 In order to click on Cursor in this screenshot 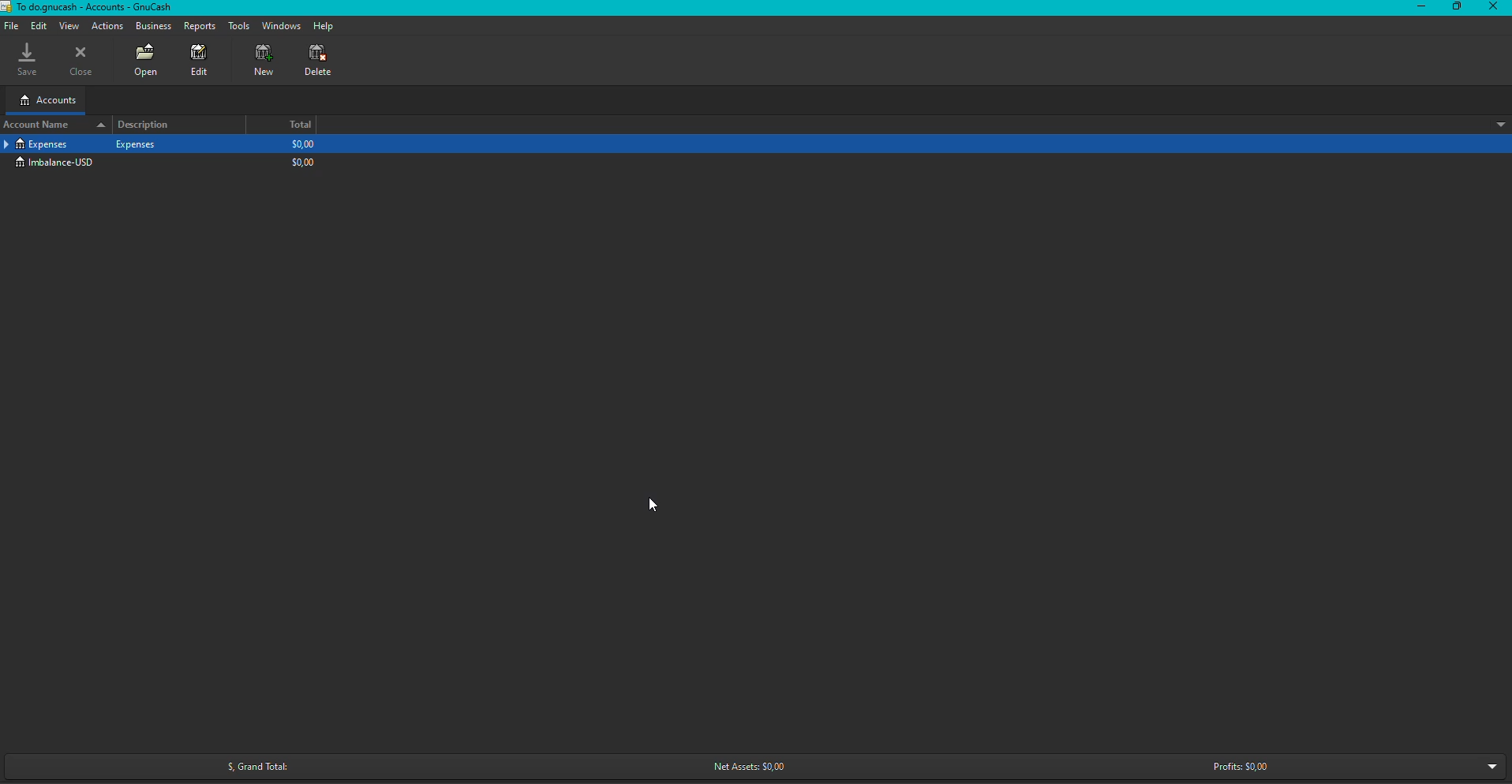, I will do `click(657, 508)`.